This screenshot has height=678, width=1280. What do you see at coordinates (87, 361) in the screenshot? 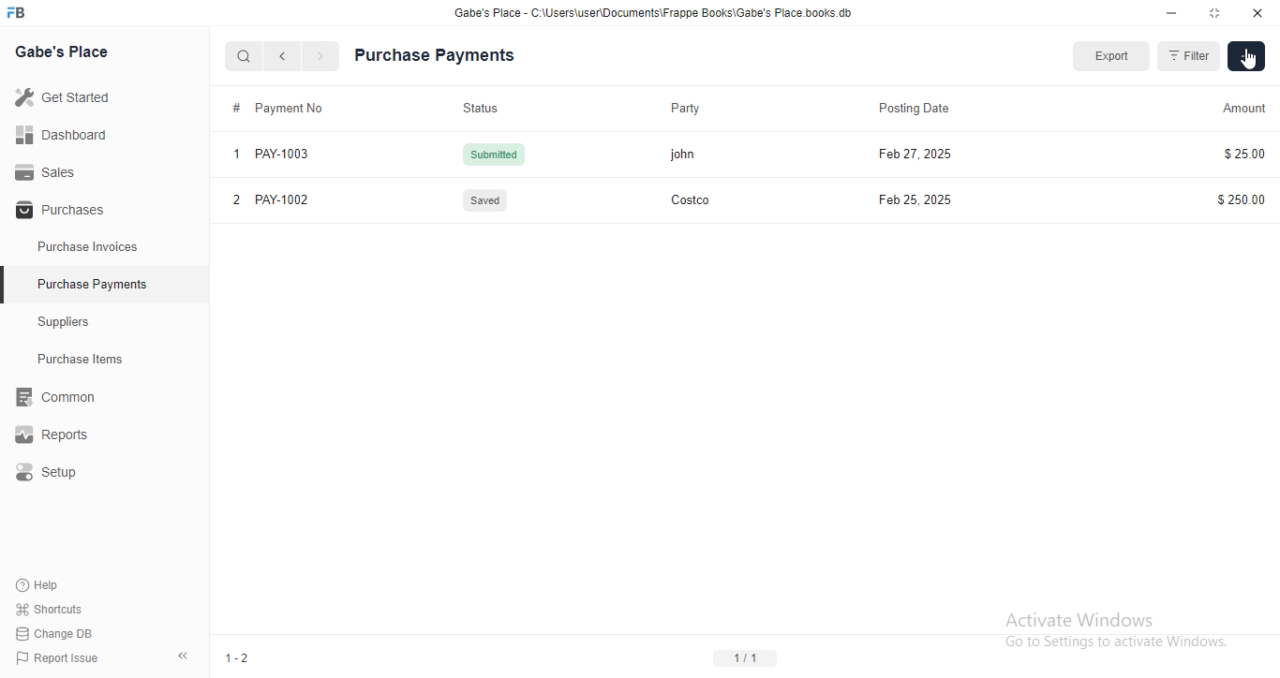
I see `Purchase Items.` at bounding box center [87, 361].